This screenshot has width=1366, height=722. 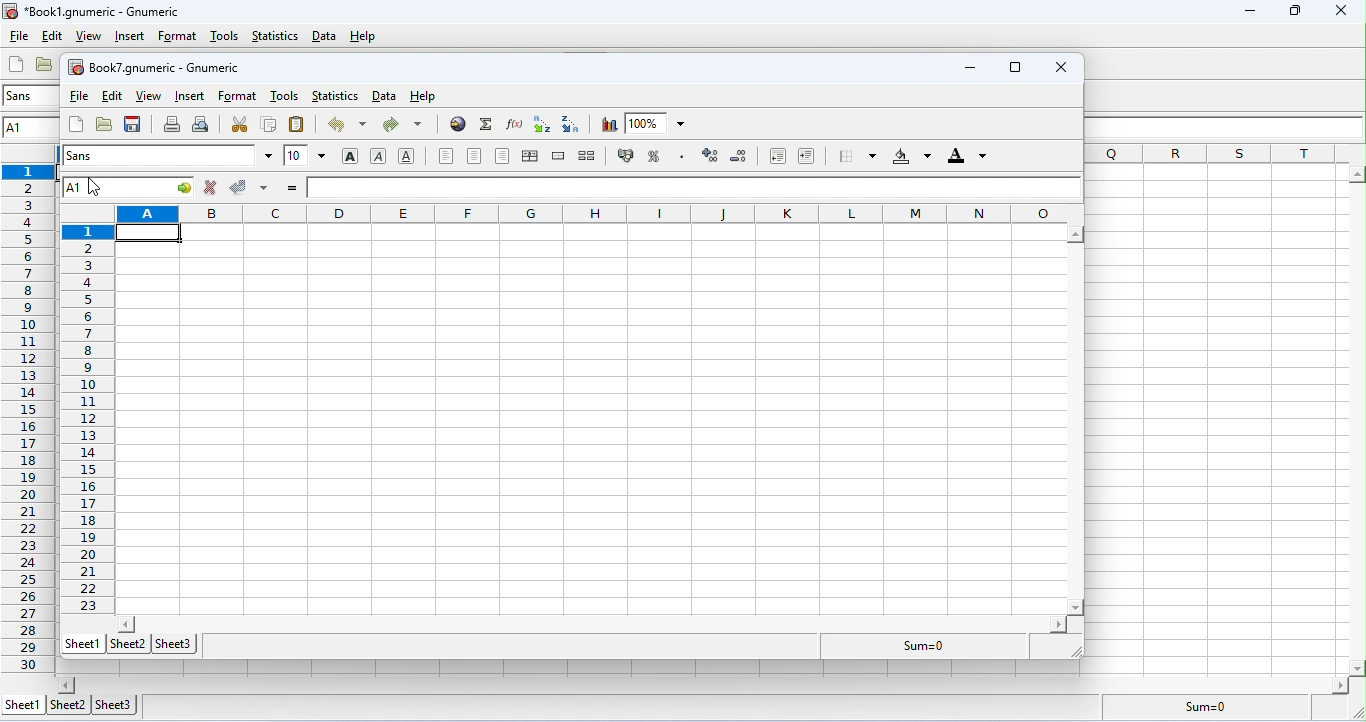 I want to click on row numbers, so click(x=27, y=419).